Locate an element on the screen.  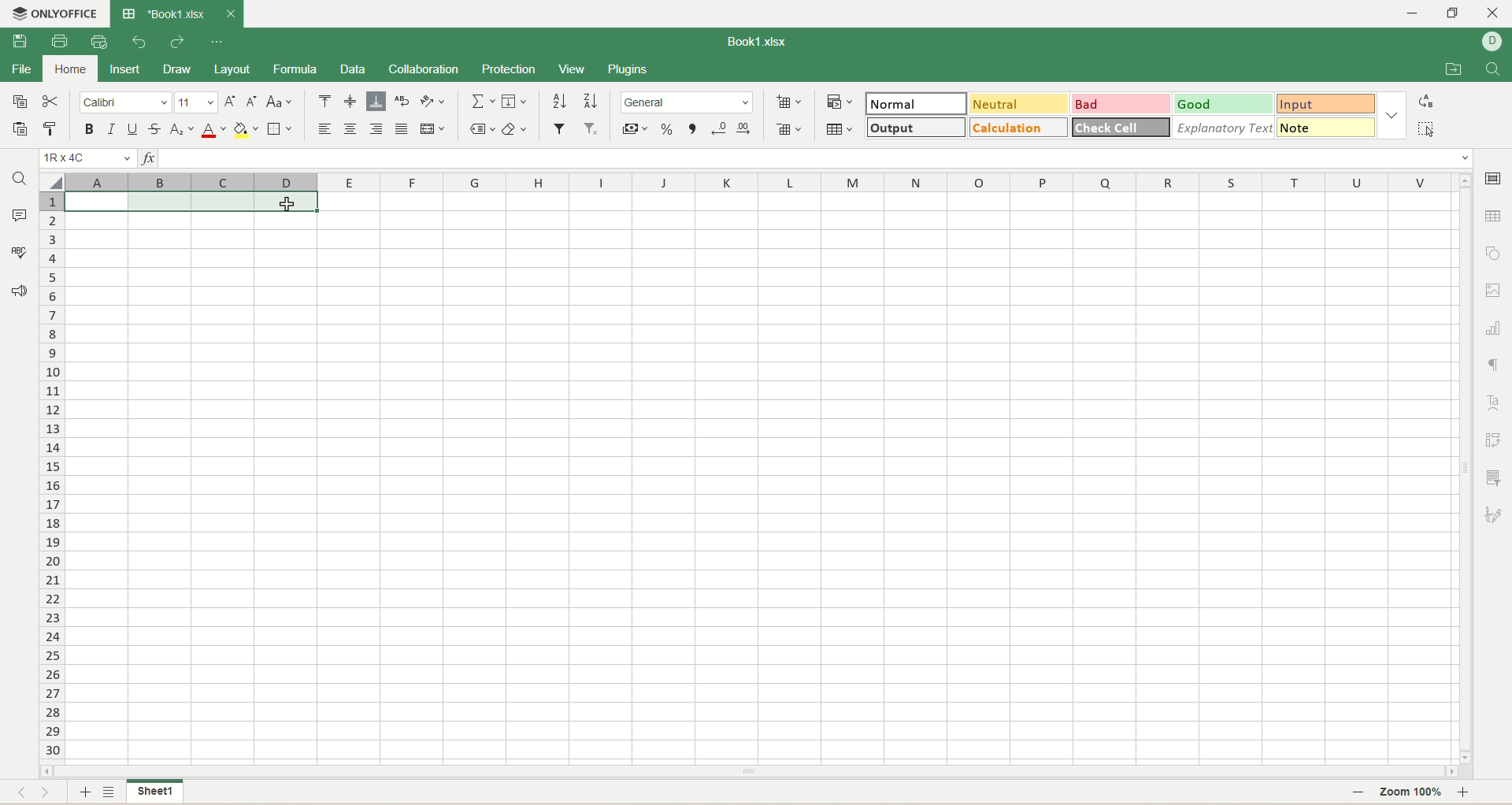
text art settings is located at coordinates (1495, 403).